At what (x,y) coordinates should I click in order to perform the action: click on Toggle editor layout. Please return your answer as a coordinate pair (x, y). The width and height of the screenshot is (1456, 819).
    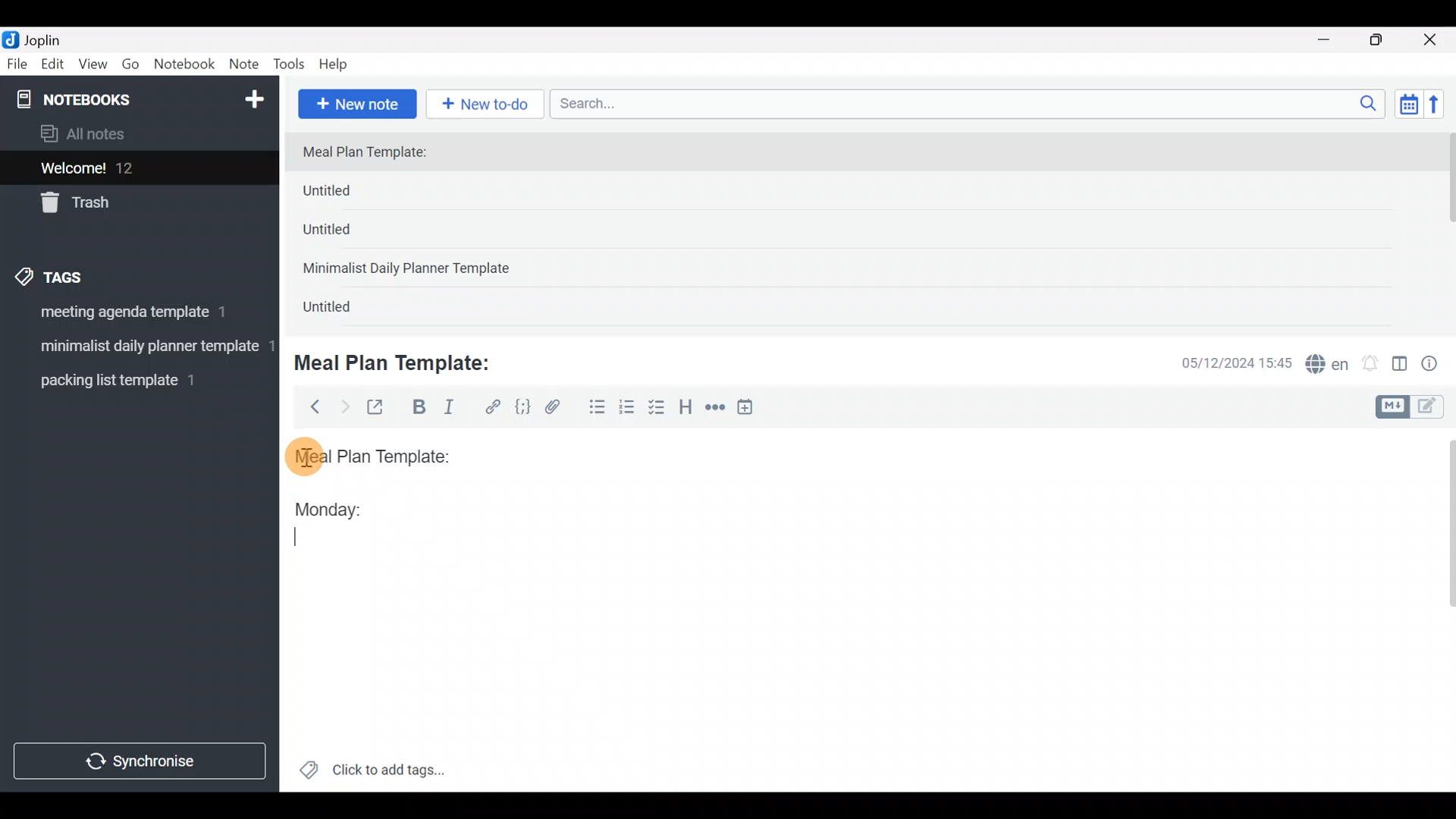
    Looking at the image, I should click on (1401, 366).